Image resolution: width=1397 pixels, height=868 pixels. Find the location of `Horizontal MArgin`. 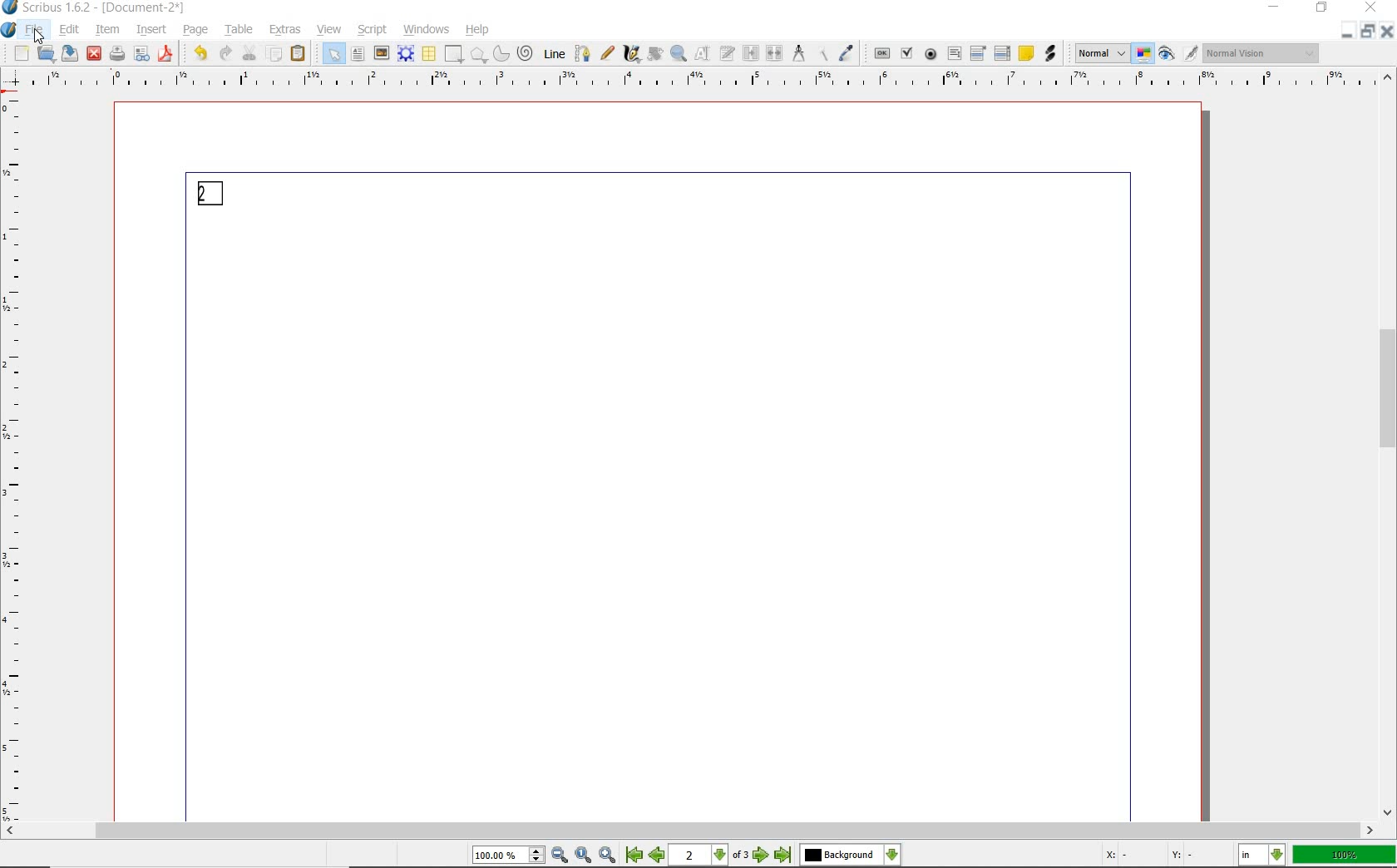

Horizontal MArgin is located at coordinates (693, 82).